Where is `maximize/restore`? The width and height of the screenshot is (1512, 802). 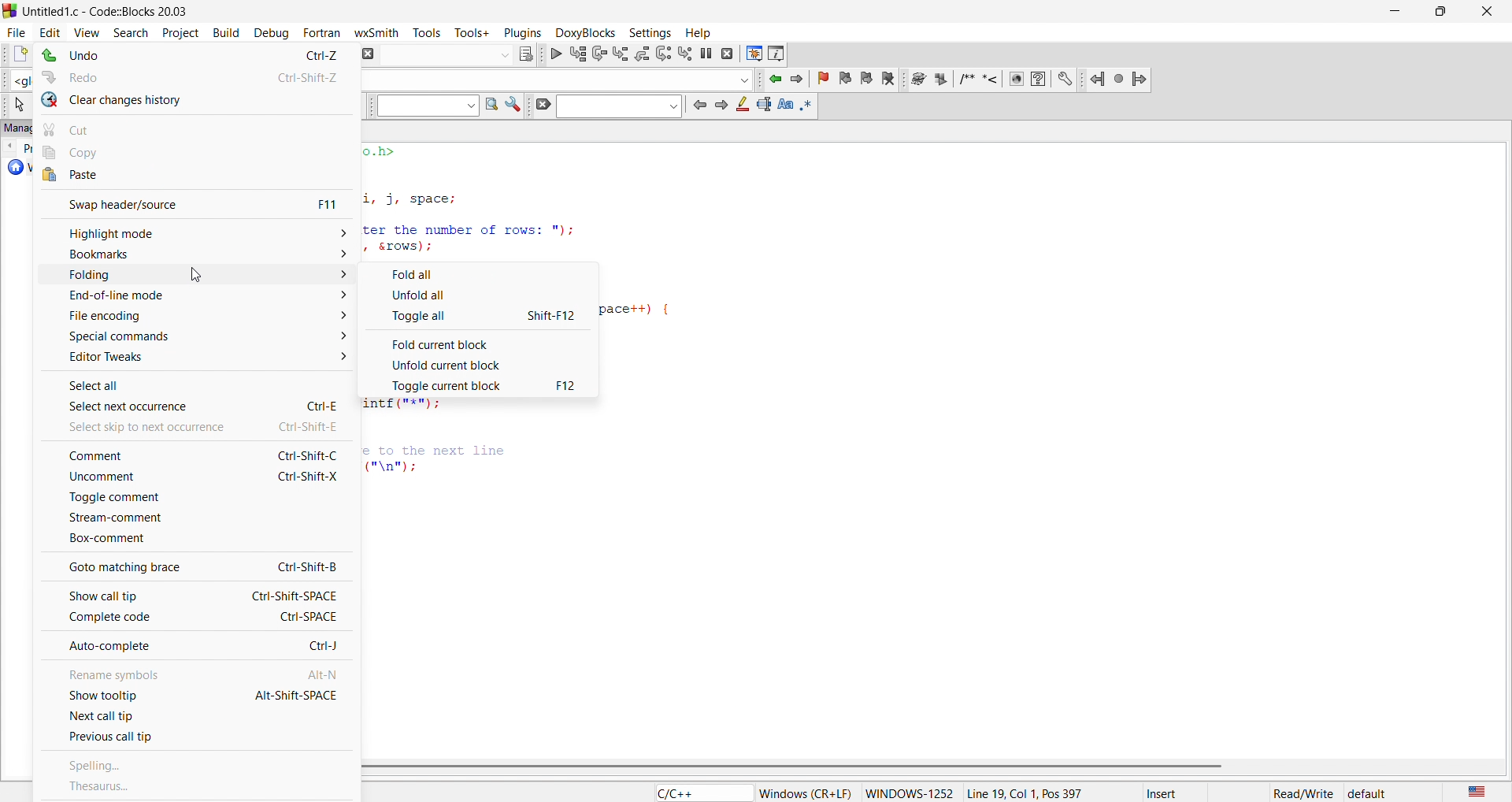
maximize/restore is located at coordinates (1436, 13).